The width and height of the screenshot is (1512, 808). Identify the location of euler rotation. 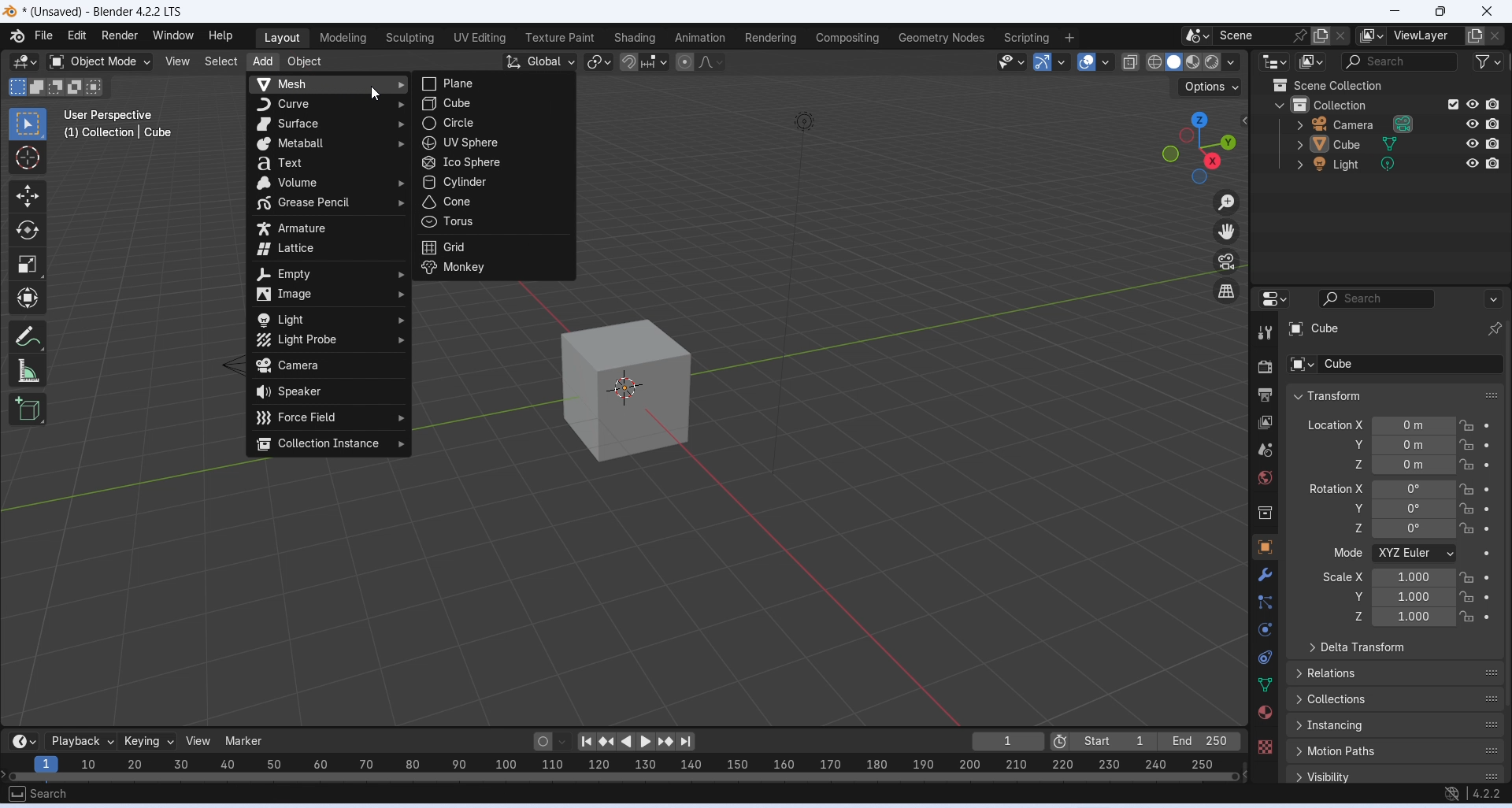
(1414, 508).